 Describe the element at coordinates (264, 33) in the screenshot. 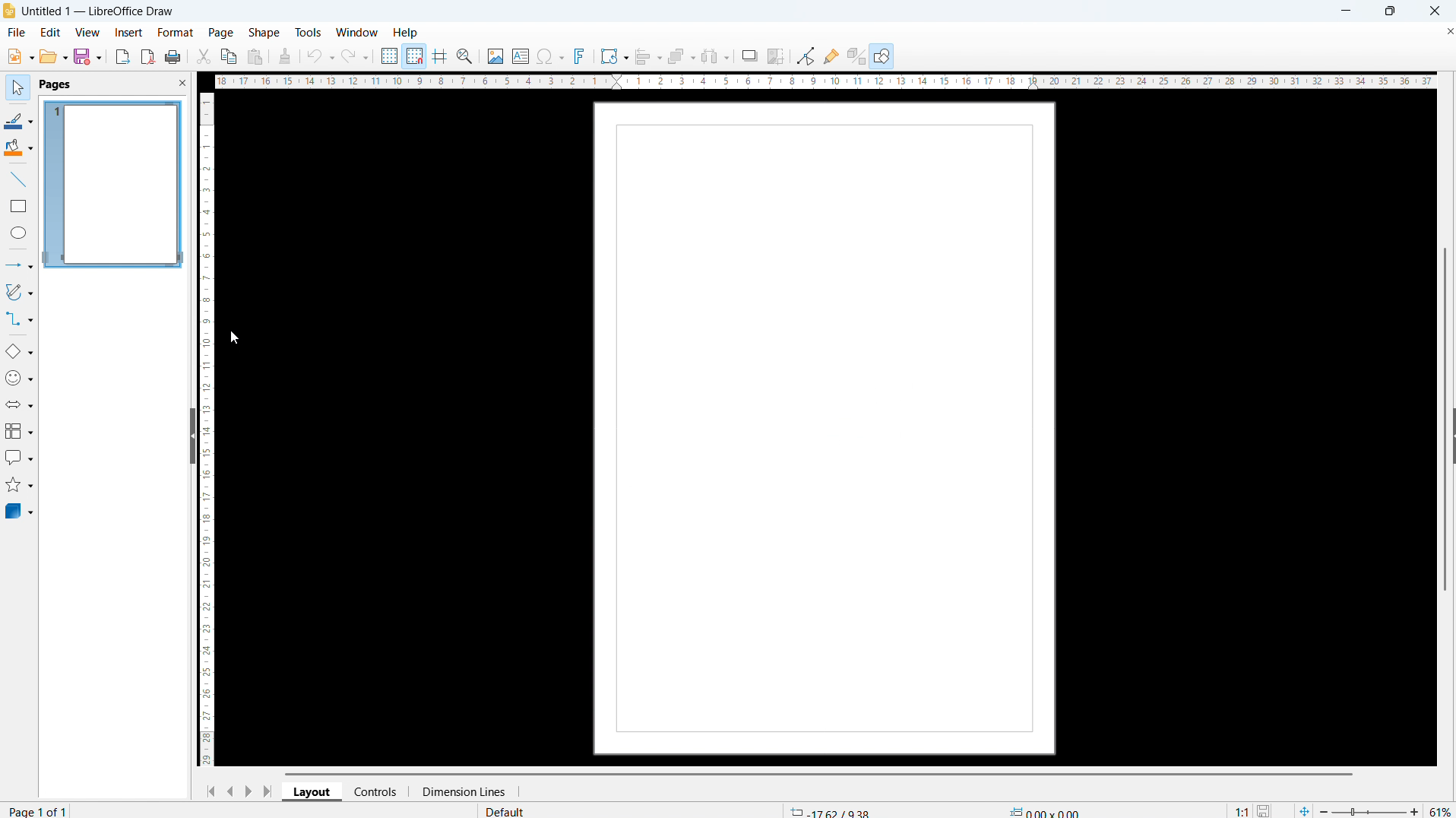

I see `shape` at that location.